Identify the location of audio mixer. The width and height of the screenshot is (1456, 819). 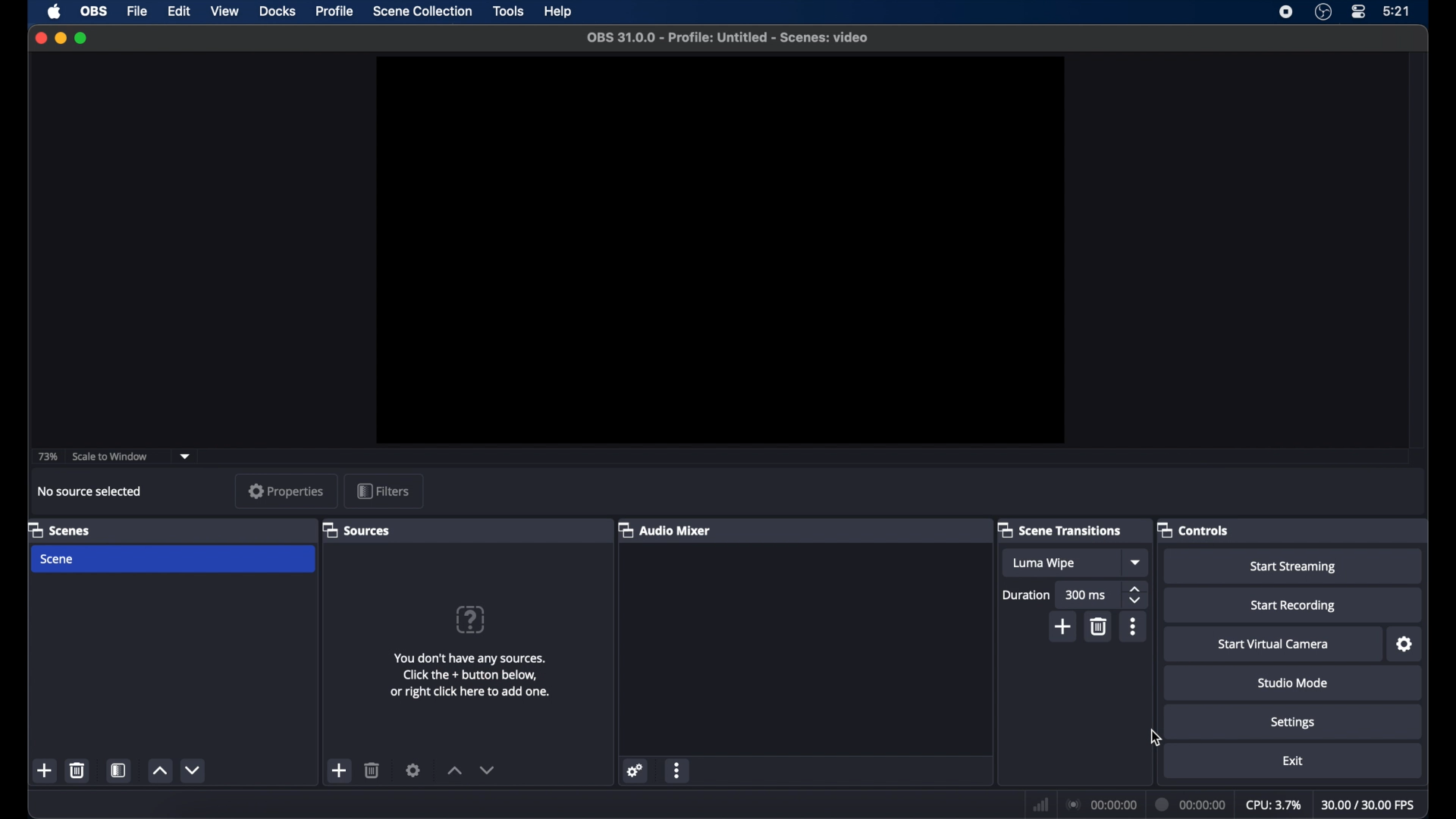
(664, 529).